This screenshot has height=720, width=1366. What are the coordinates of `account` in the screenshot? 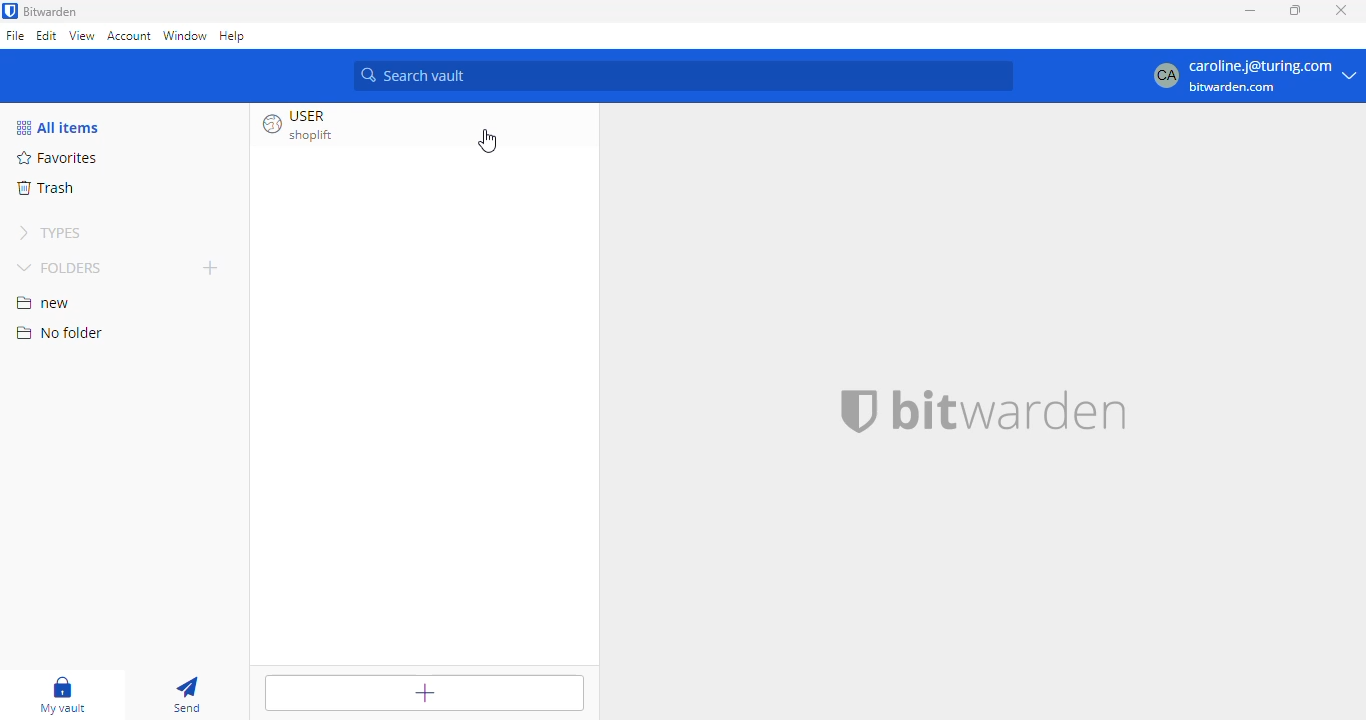 It's located at (129, 35).